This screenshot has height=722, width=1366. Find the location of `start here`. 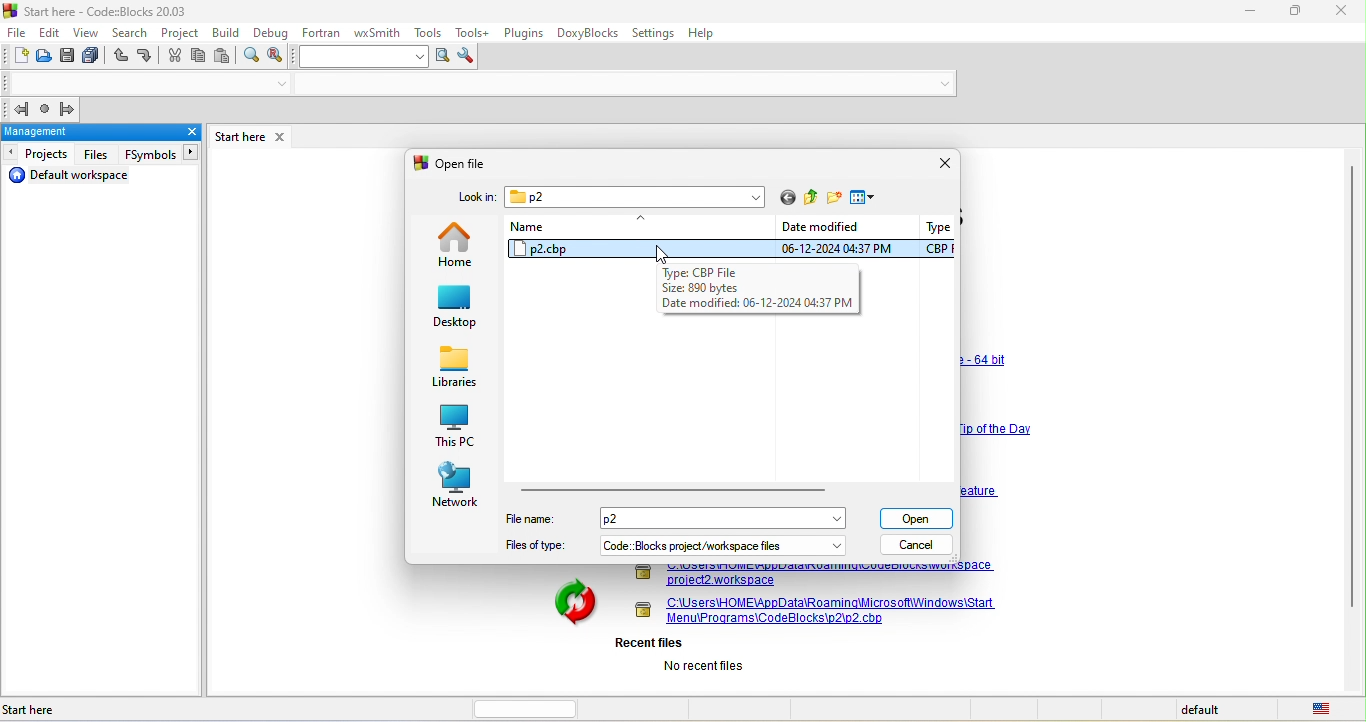

start here is located at coordinates (236, 137).